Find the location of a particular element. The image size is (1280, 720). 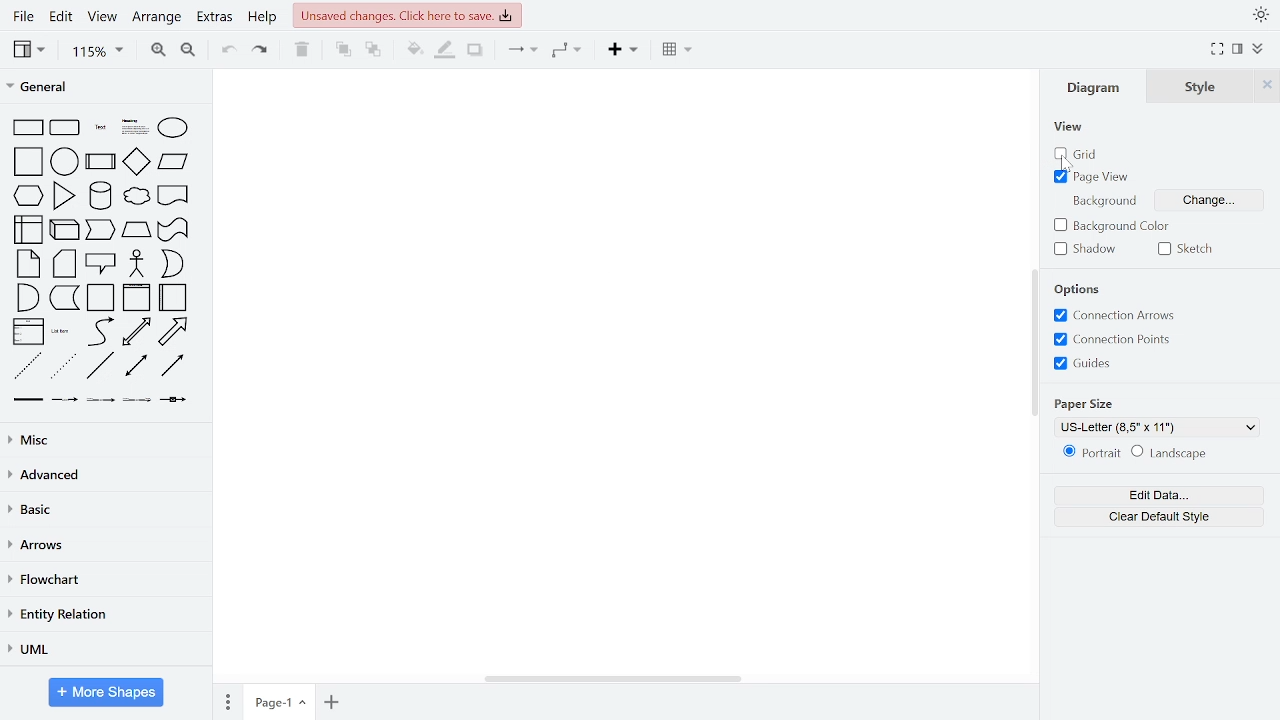

insert is located at coordinates (623, 51).